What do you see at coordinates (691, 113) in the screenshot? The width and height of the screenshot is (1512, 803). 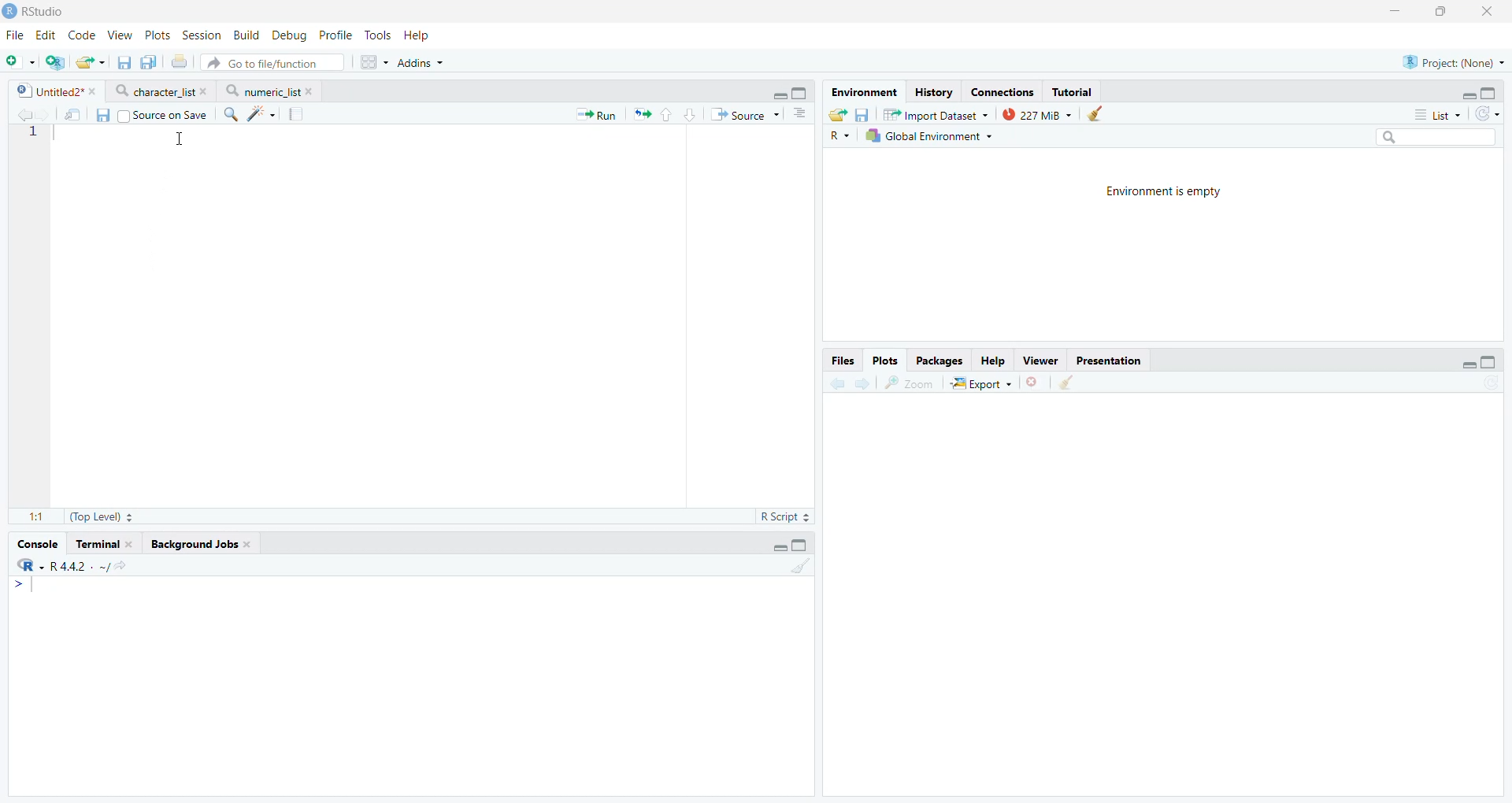 I see `Go to next section` at bounding box center [691, 113].